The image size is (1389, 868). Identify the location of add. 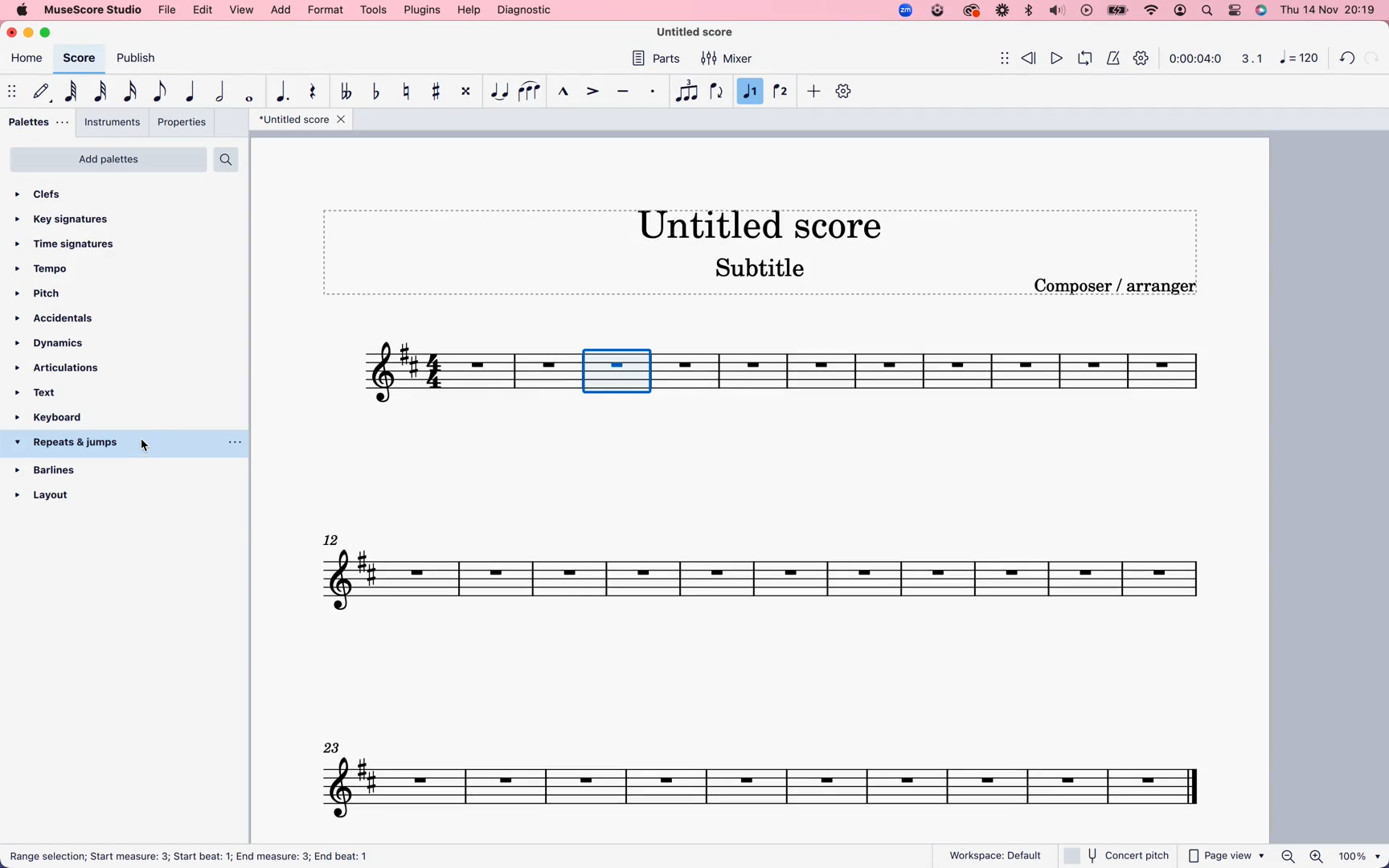
(282, 10).